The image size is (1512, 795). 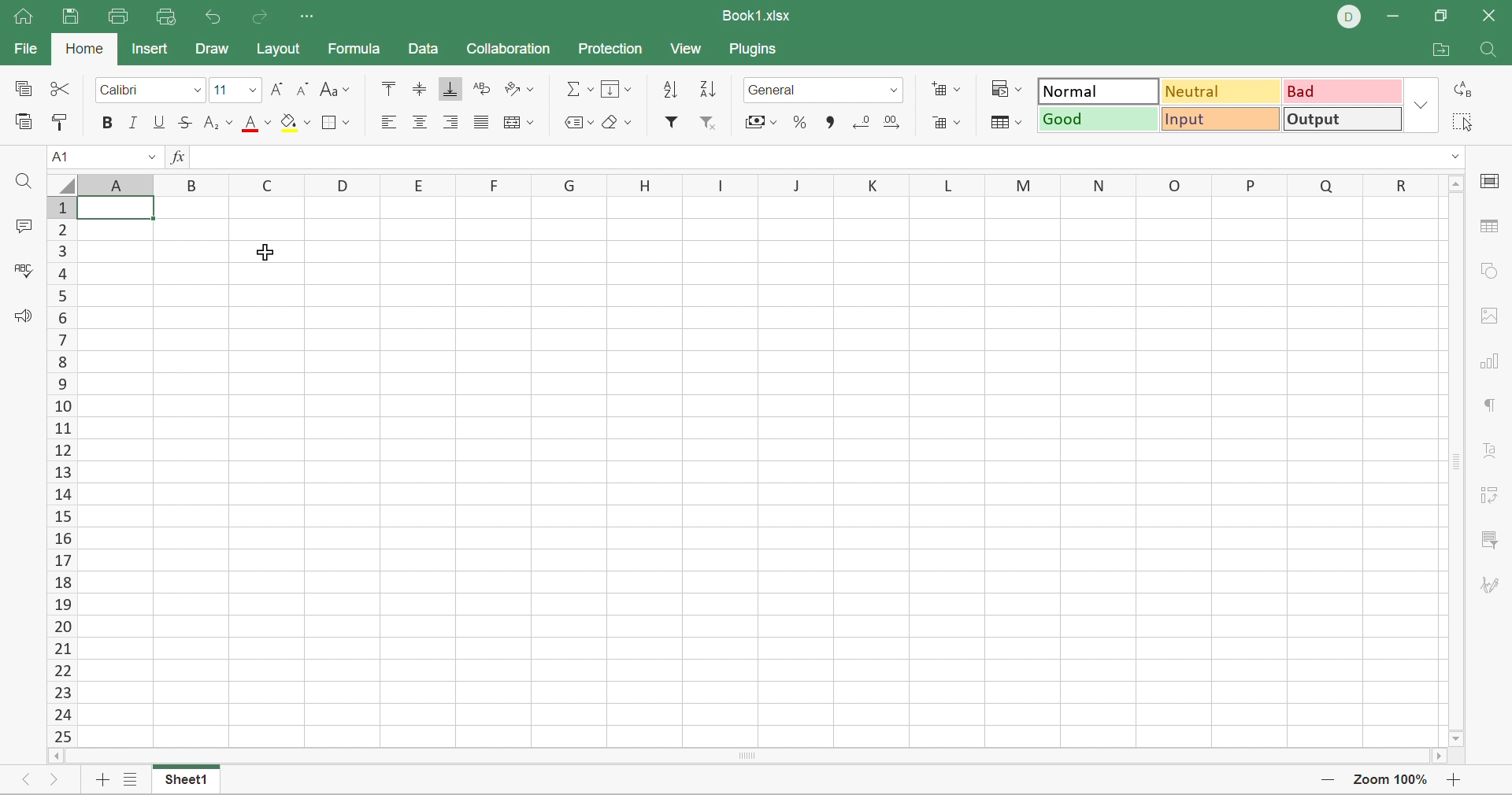 I want to click on Copy style, so click(x=61, y=121).